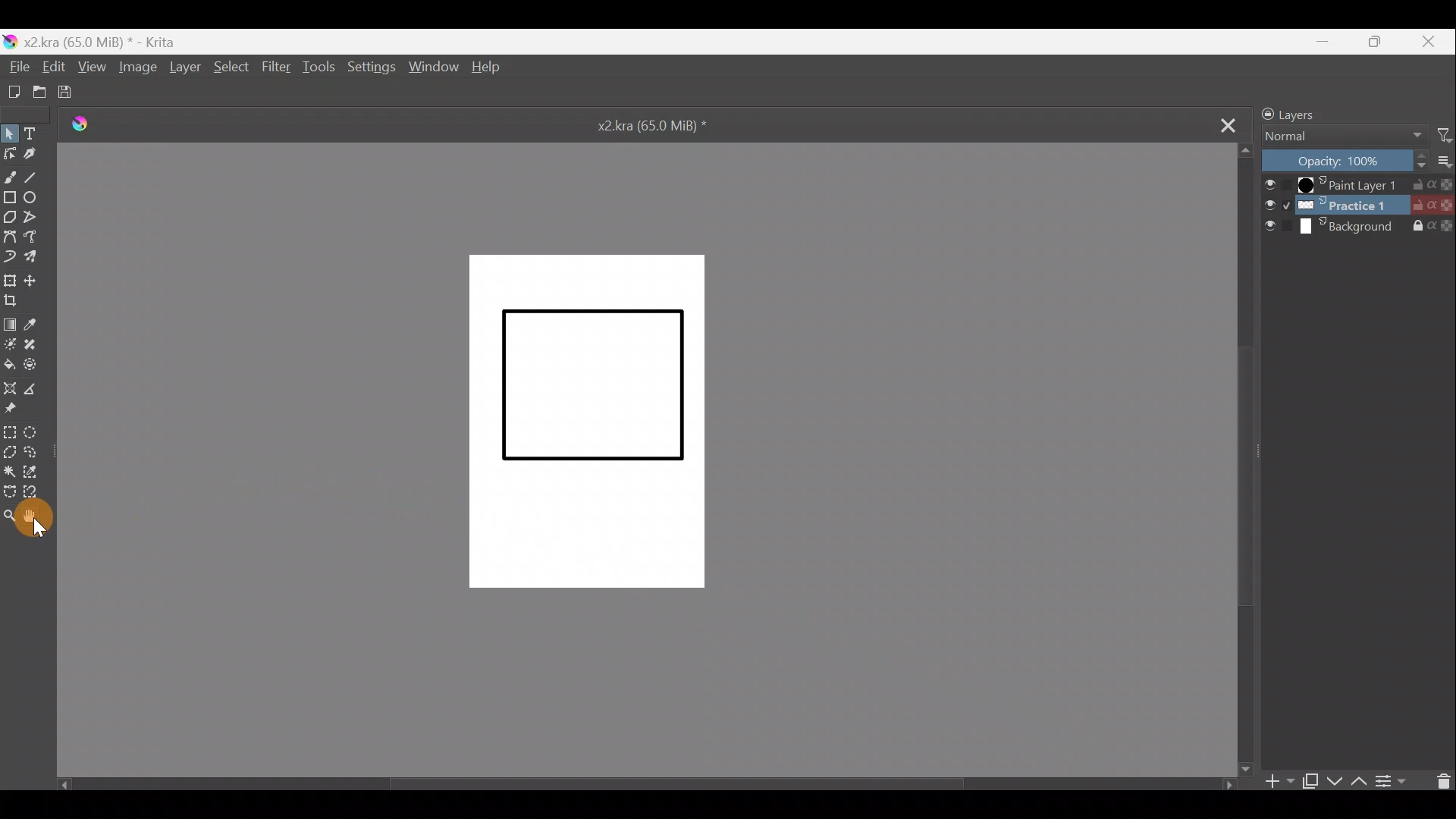  Describe the element at coordinates (370, 68) in the screenshot. I see `Settings` at that location.